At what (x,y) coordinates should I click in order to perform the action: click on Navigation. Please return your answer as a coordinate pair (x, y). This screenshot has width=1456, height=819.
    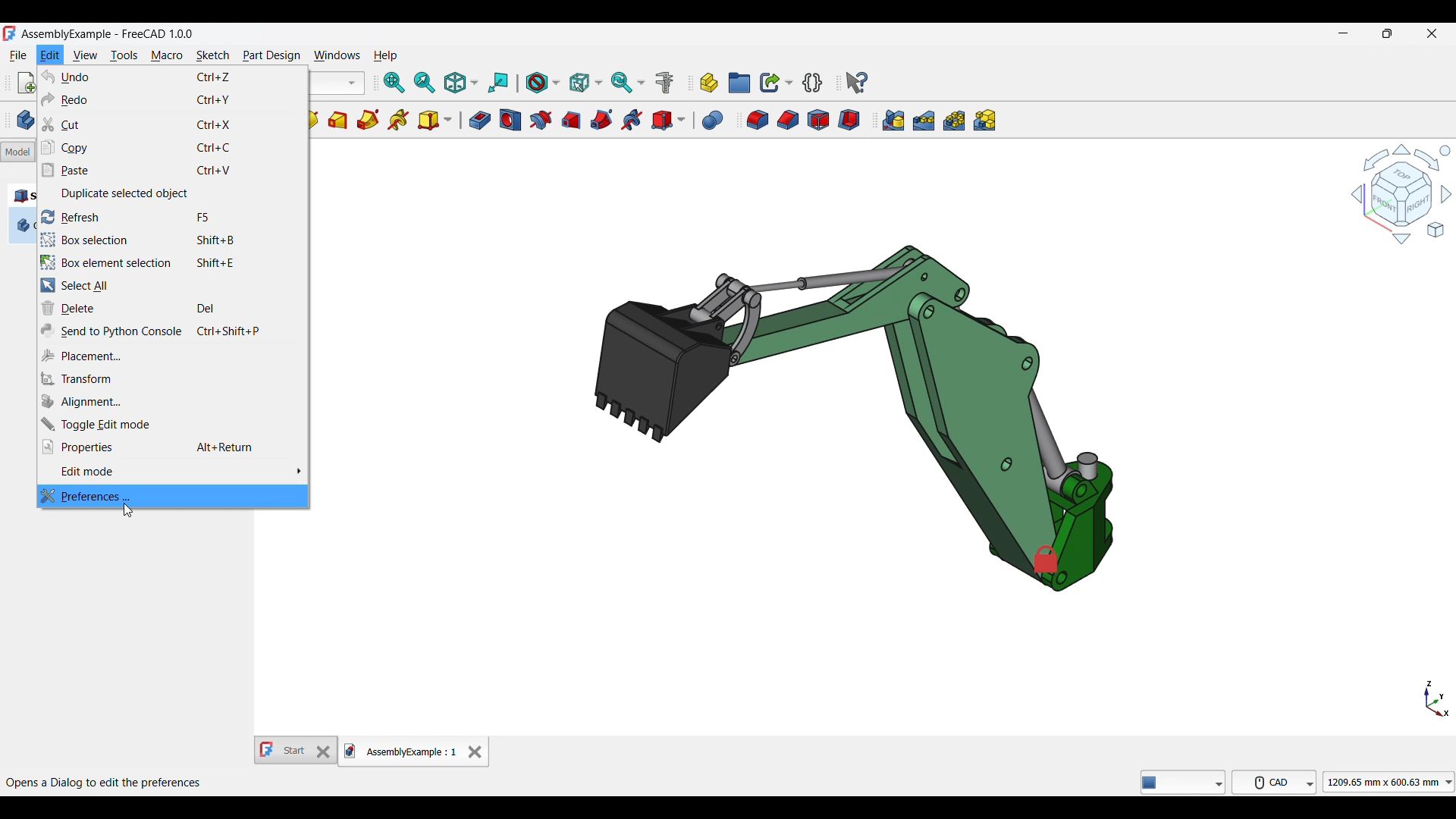
    Looking at the image, I should click on (1401, 193).